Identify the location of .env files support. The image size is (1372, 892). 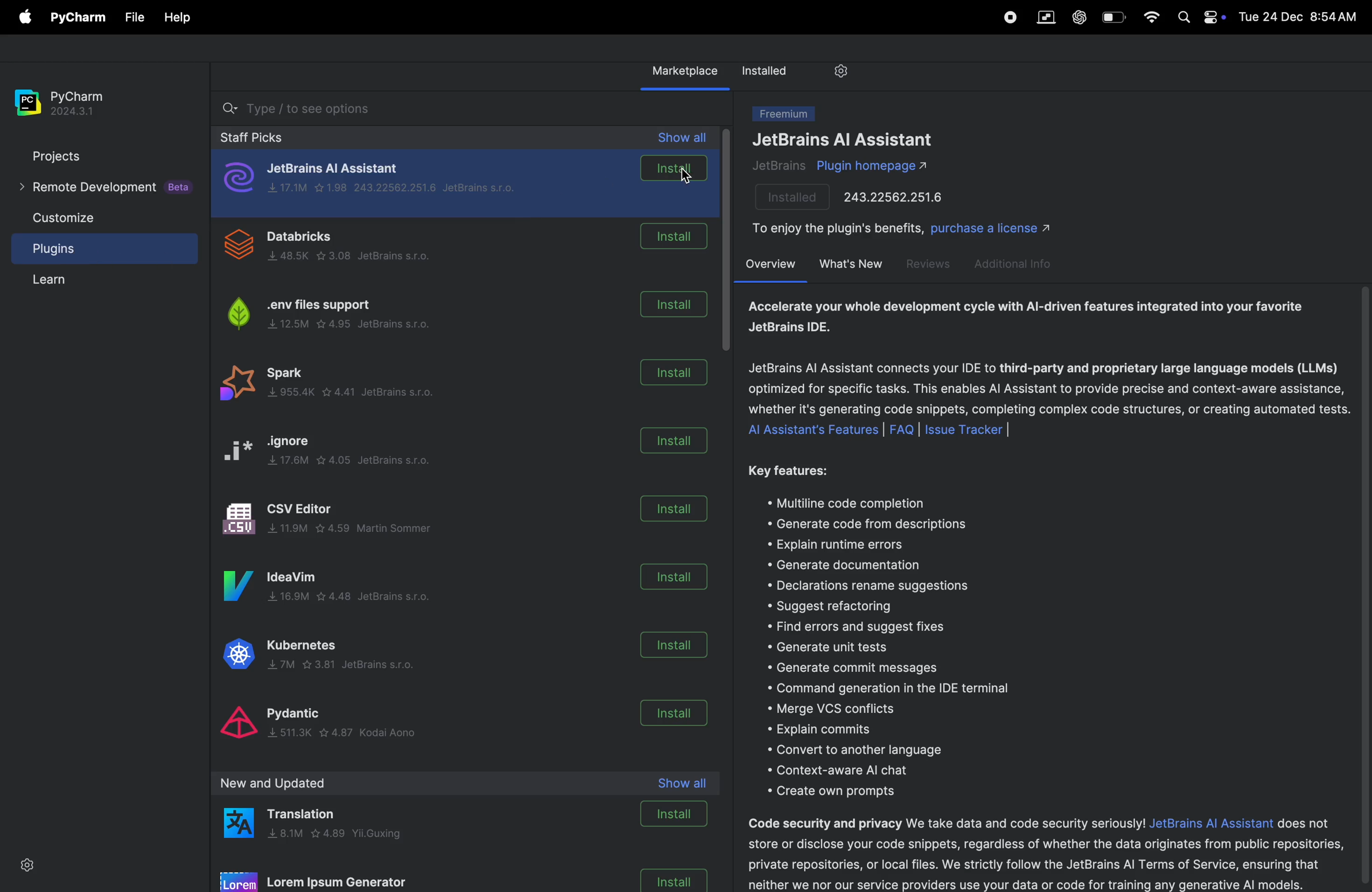
(346, 312).